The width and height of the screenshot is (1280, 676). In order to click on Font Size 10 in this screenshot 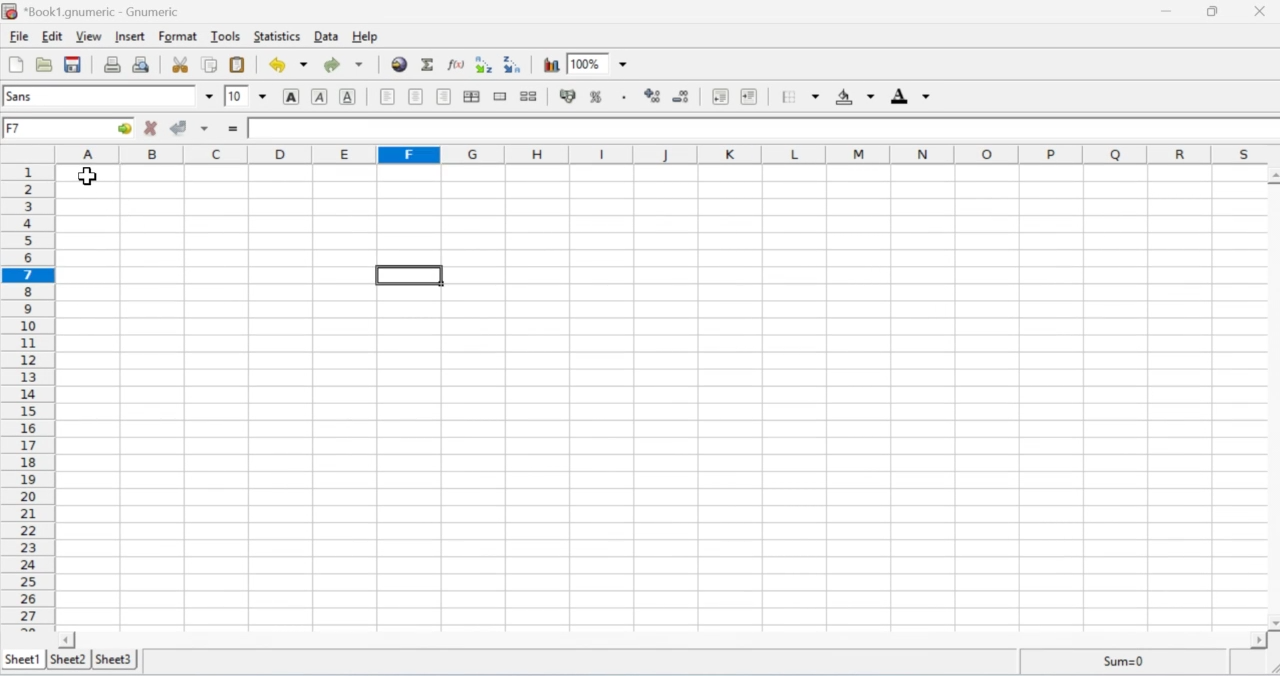, I will do `click(246, 95)`.